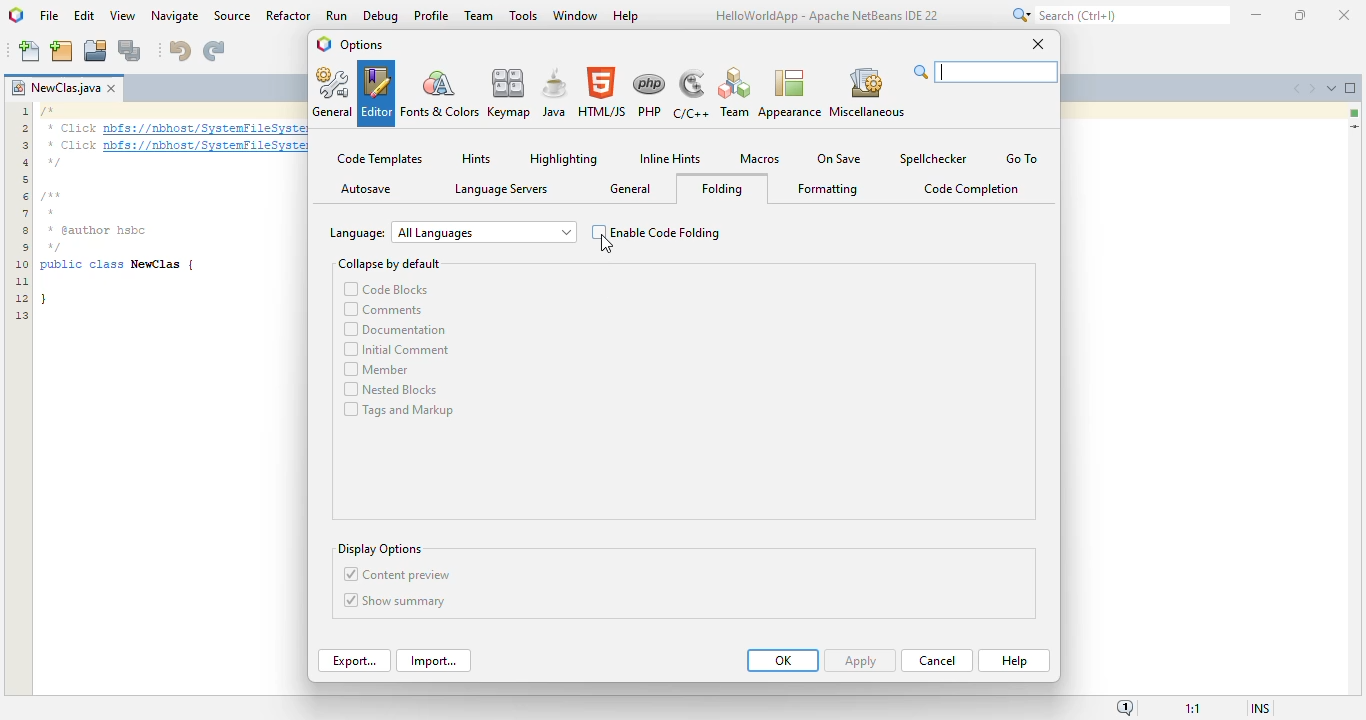 The width and height of the screenshot is (1366, 720). I want to click on Checkbox, so click(347, 600).